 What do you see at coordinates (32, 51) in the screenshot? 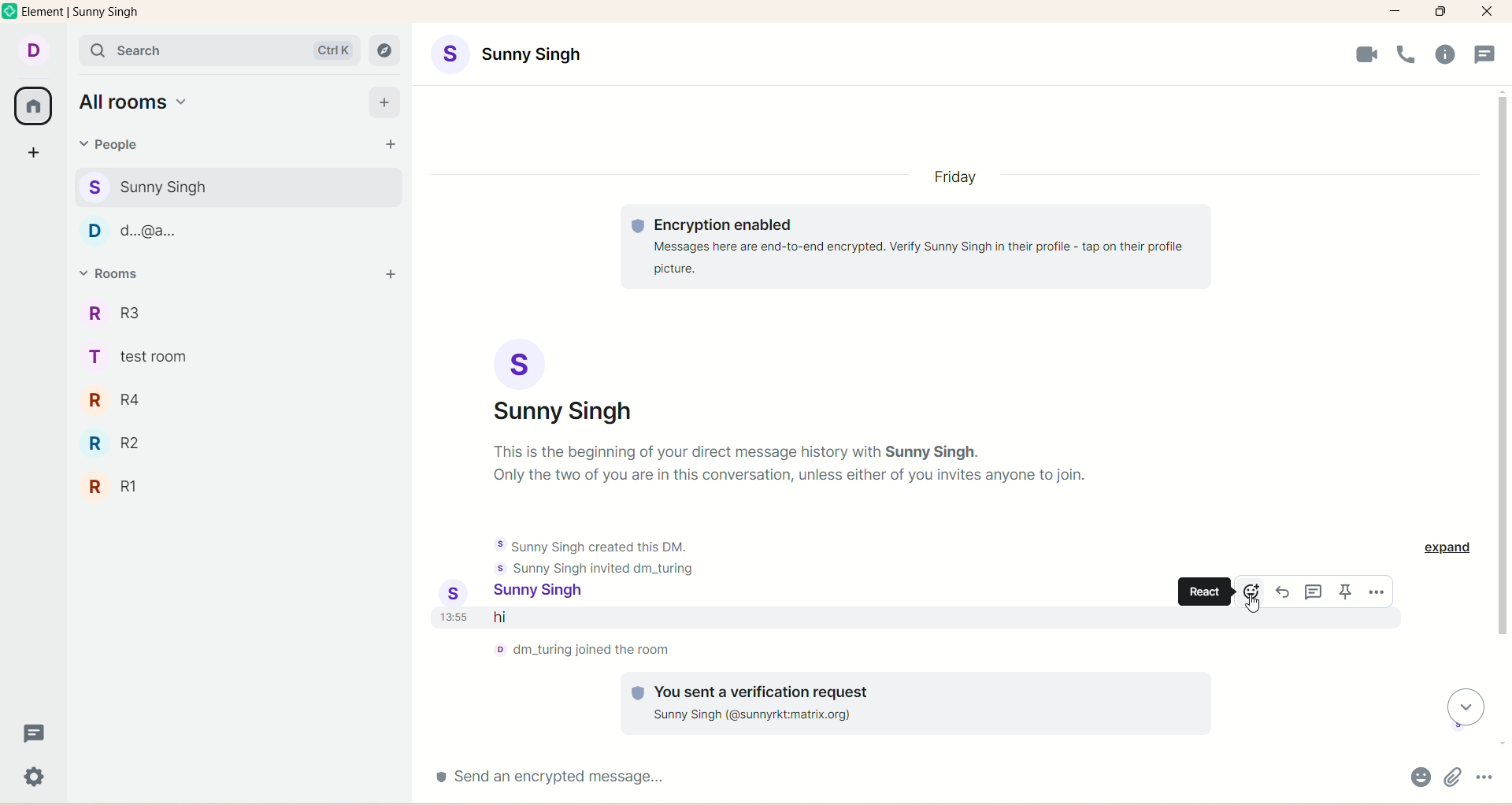
I see `account` at bounding box center [32, 51].